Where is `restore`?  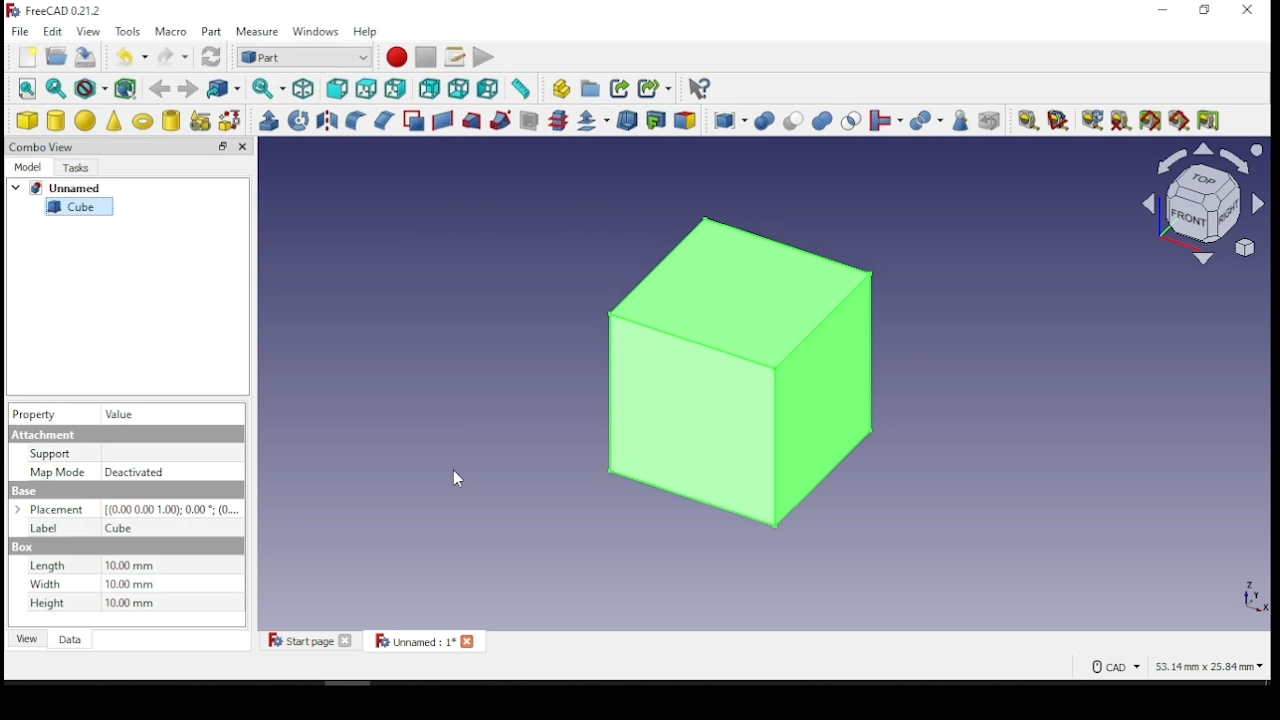 restore is located at coordinates (223, 146).